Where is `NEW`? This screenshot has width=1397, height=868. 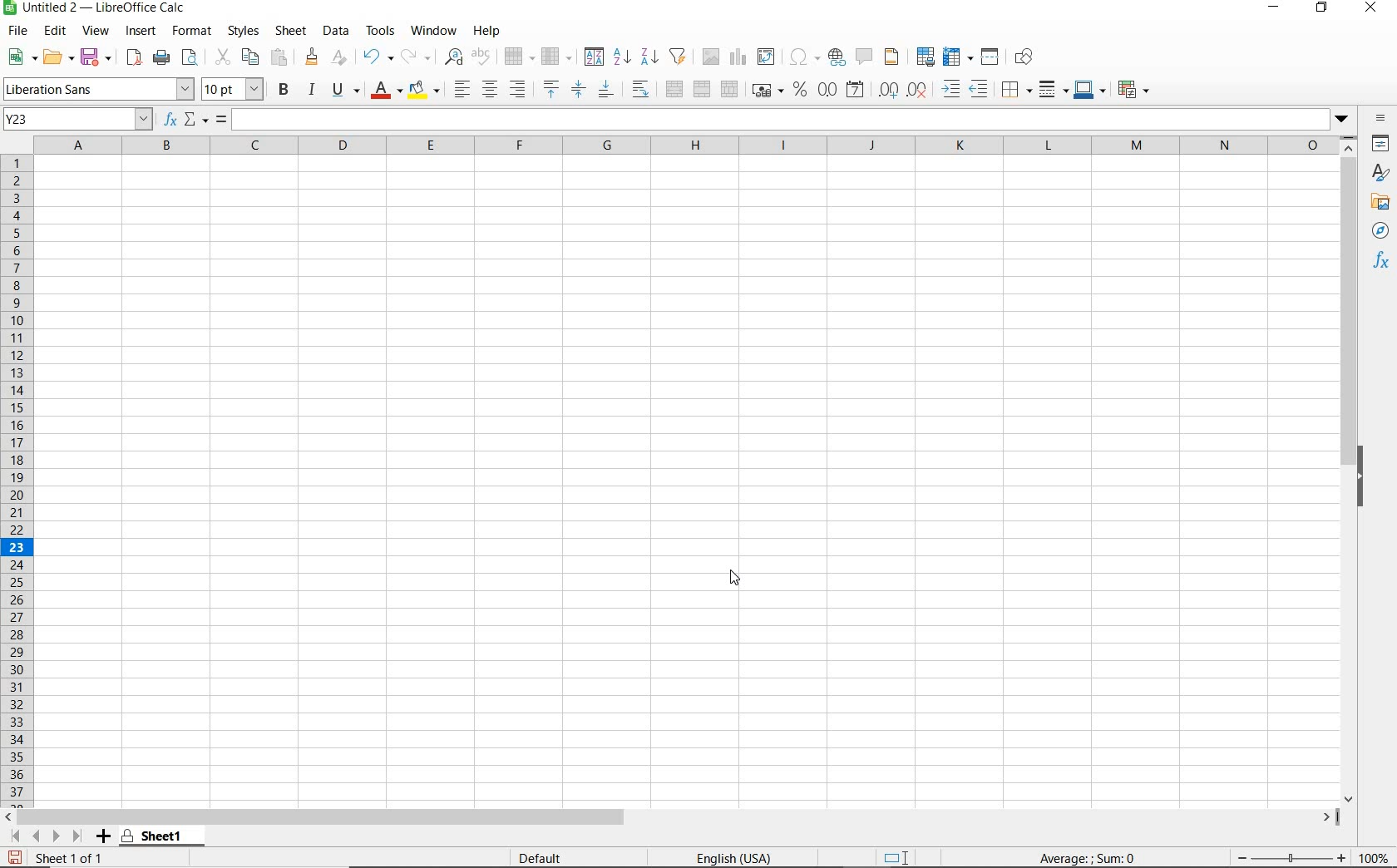
NEW is located at coordinates (18, 57).